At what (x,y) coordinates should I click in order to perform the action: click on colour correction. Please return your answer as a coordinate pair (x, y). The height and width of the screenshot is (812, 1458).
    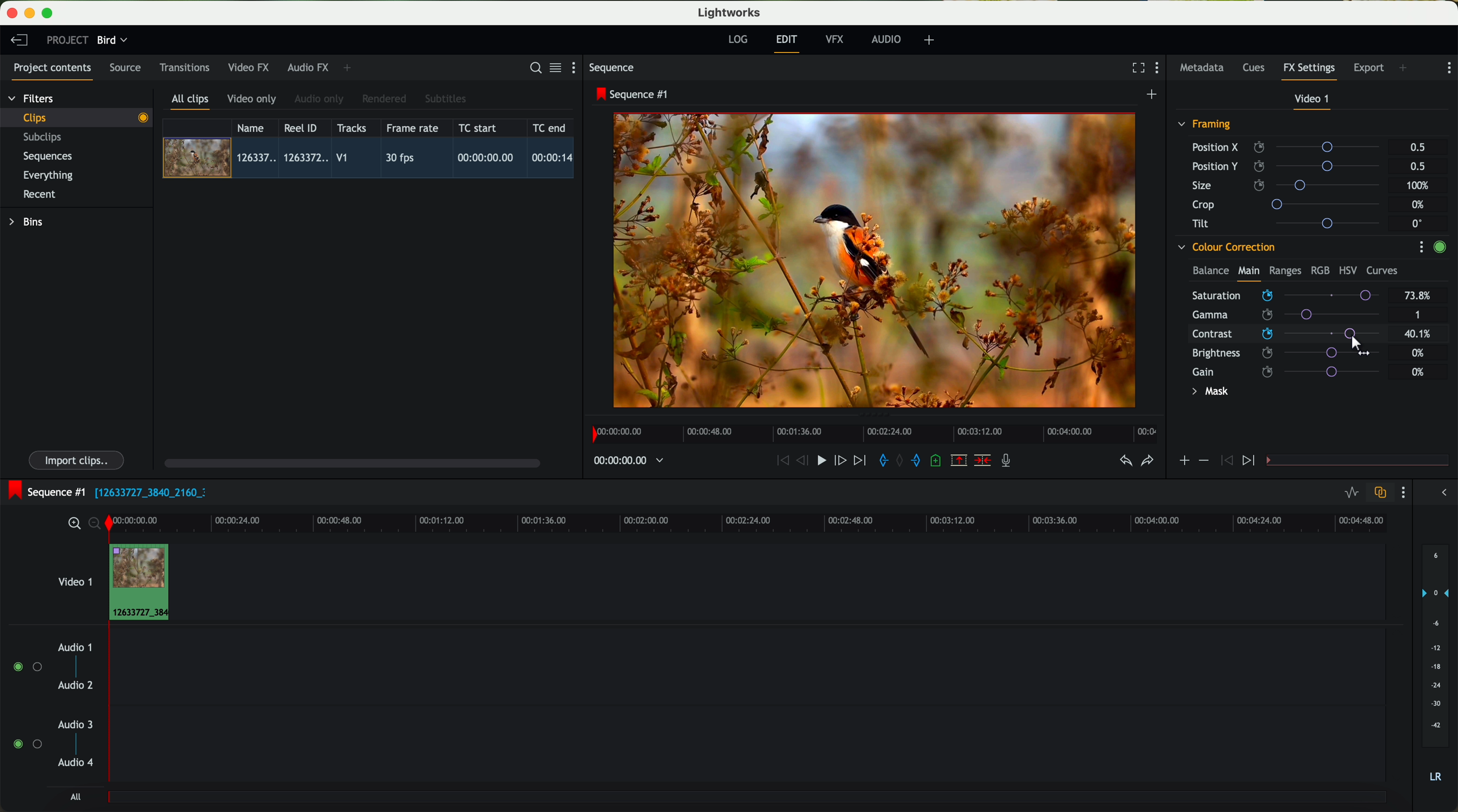
    Looking at the image, I should click on (1225, 247).